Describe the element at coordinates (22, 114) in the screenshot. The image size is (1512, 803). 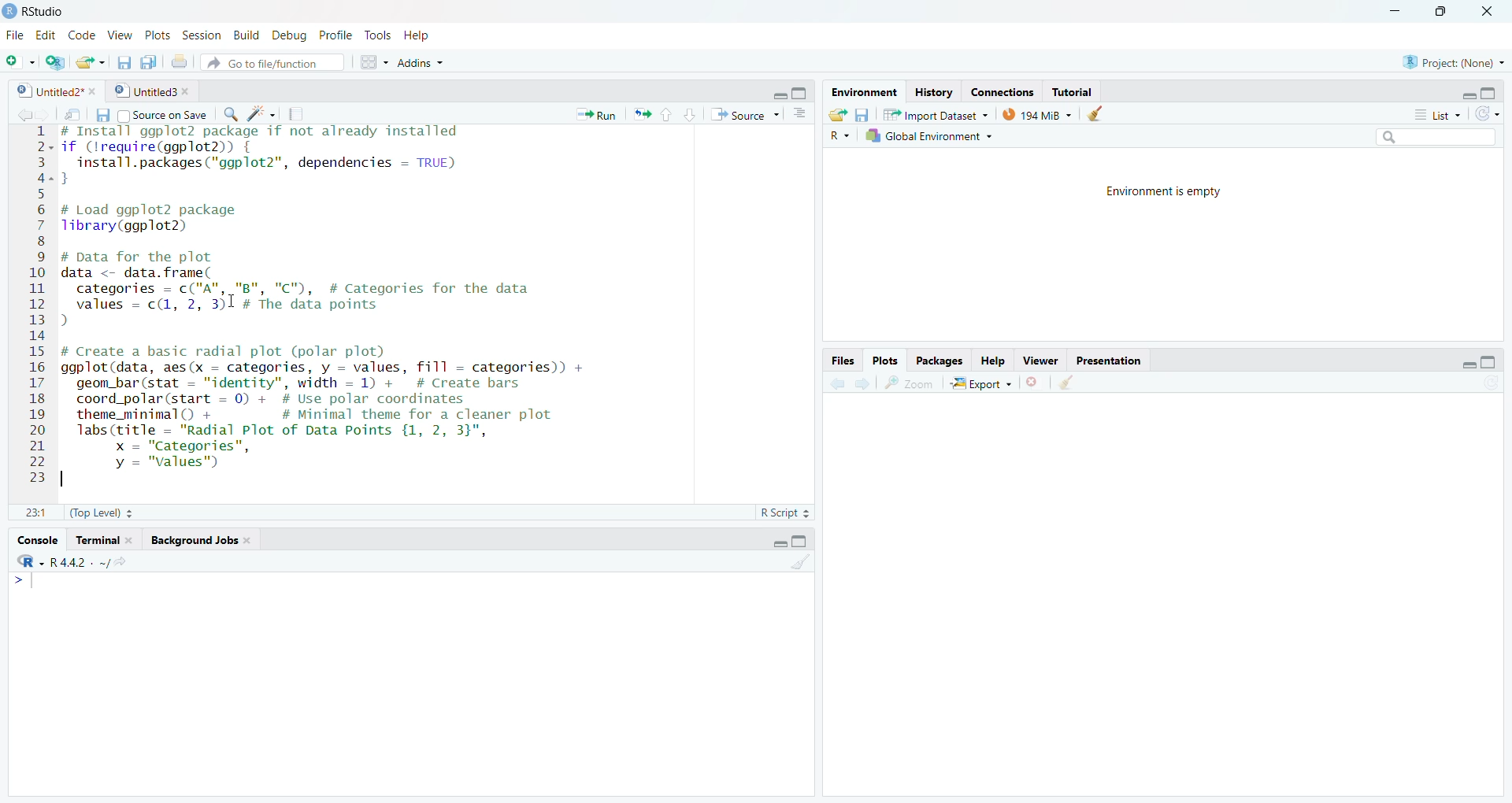
I see `move back` at that location.